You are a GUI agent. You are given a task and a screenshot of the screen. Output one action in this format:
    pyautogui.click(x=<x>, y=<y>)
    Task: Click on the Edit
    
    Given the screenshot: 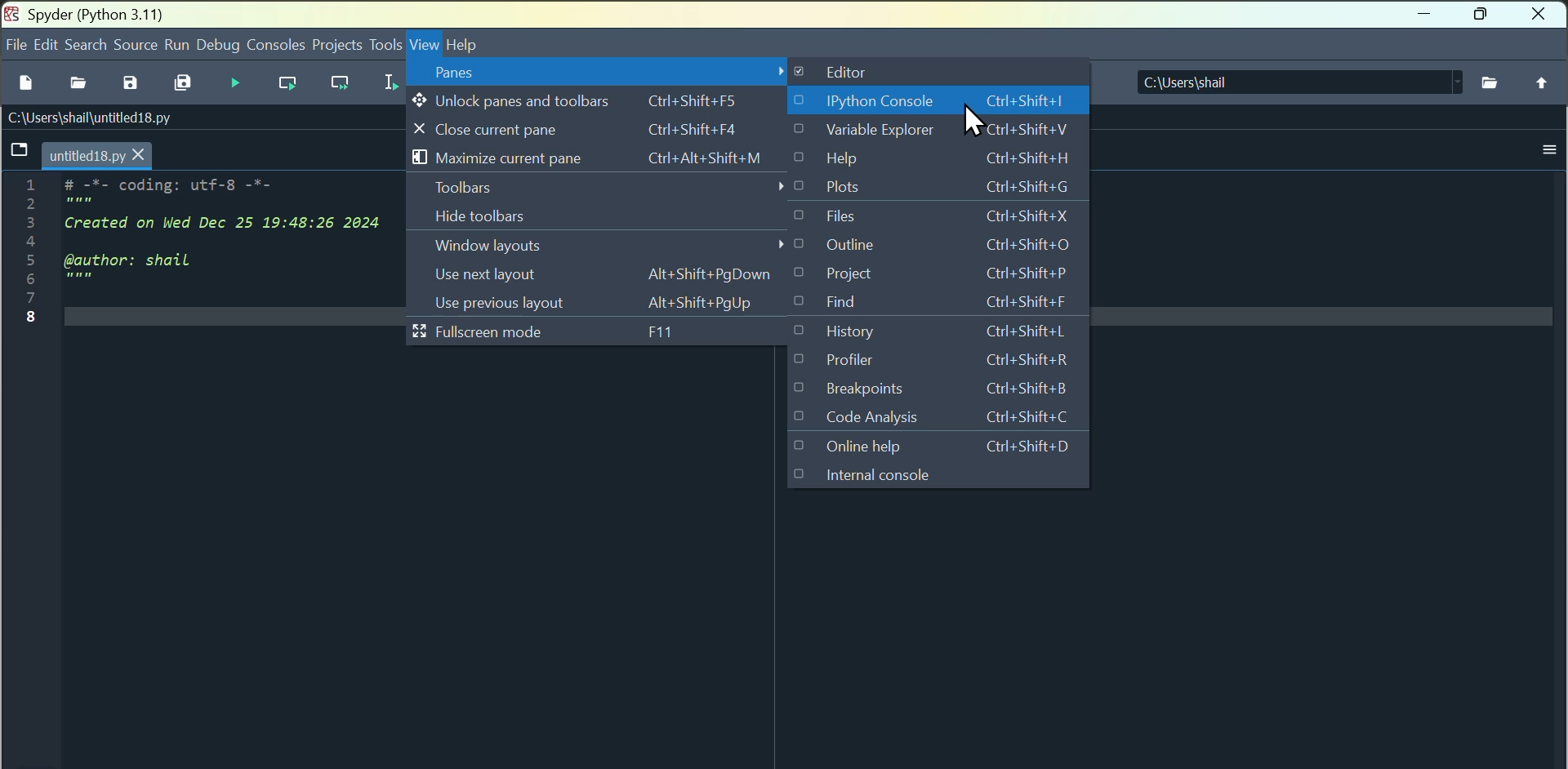 What is the action you would take?
    pyautogui.click(x=48, y=45)
    